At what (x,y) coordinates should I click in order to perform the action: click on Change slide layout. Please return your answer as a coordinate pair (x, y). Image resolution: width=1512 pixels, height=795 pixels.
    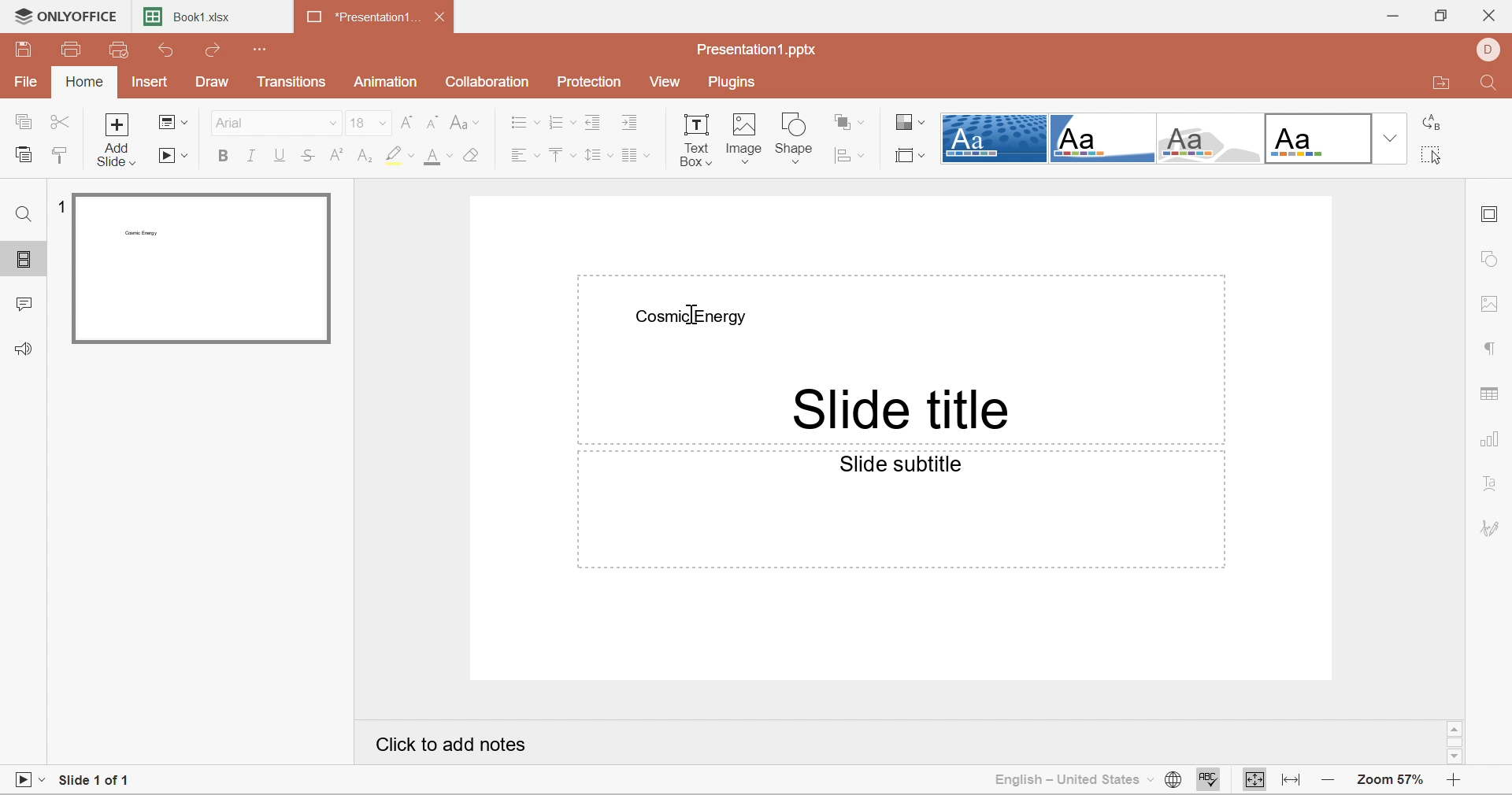
    Looking at the image, I should click on (172, 121).